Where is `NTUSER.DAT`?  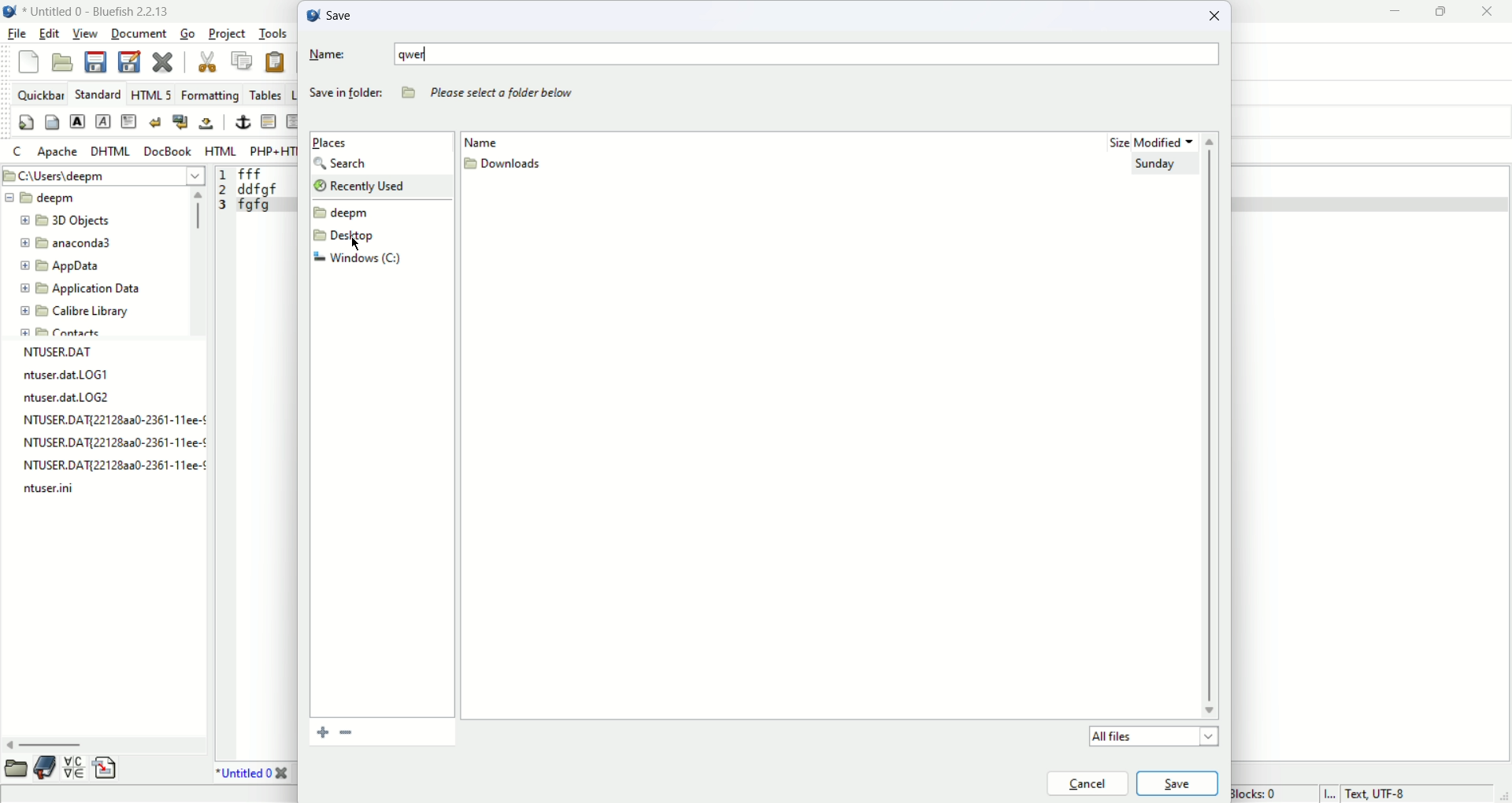 NTUSER.DAT is located at coordinates (54, 352).